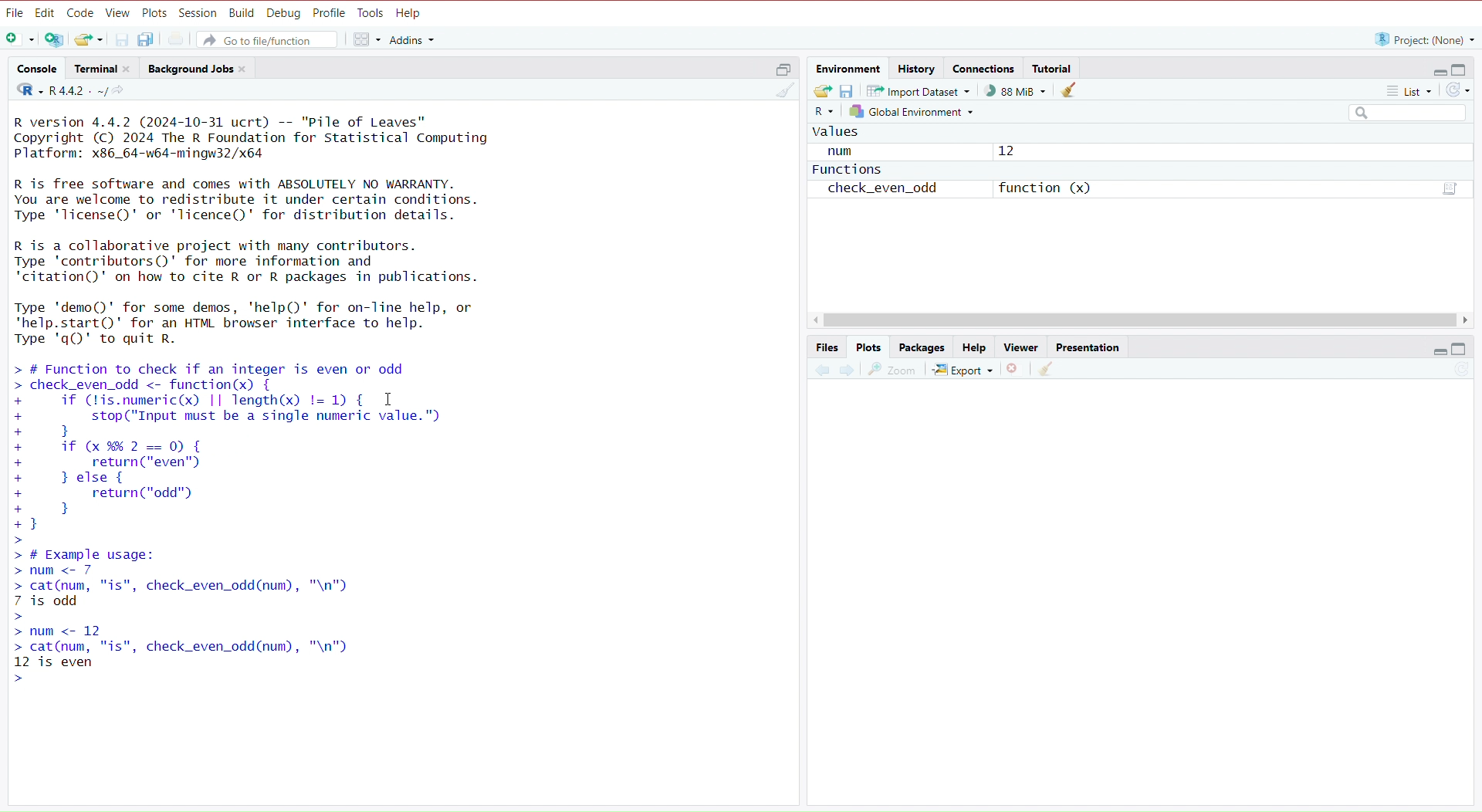 This screenshot has height=812, width=1482. I want to click on help, so click(411, 14).